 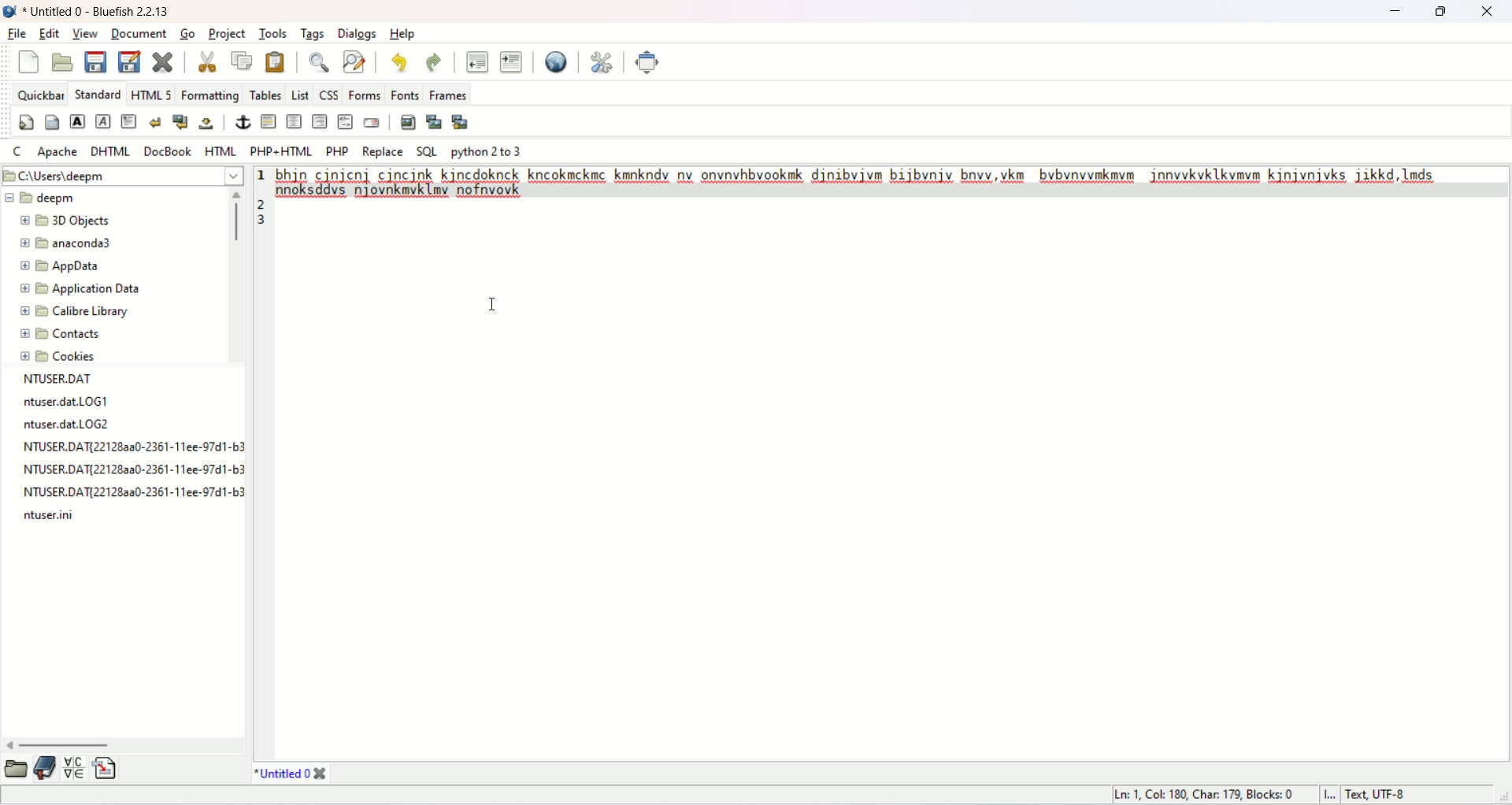 I want to click on title, so click(x=292, y=773).